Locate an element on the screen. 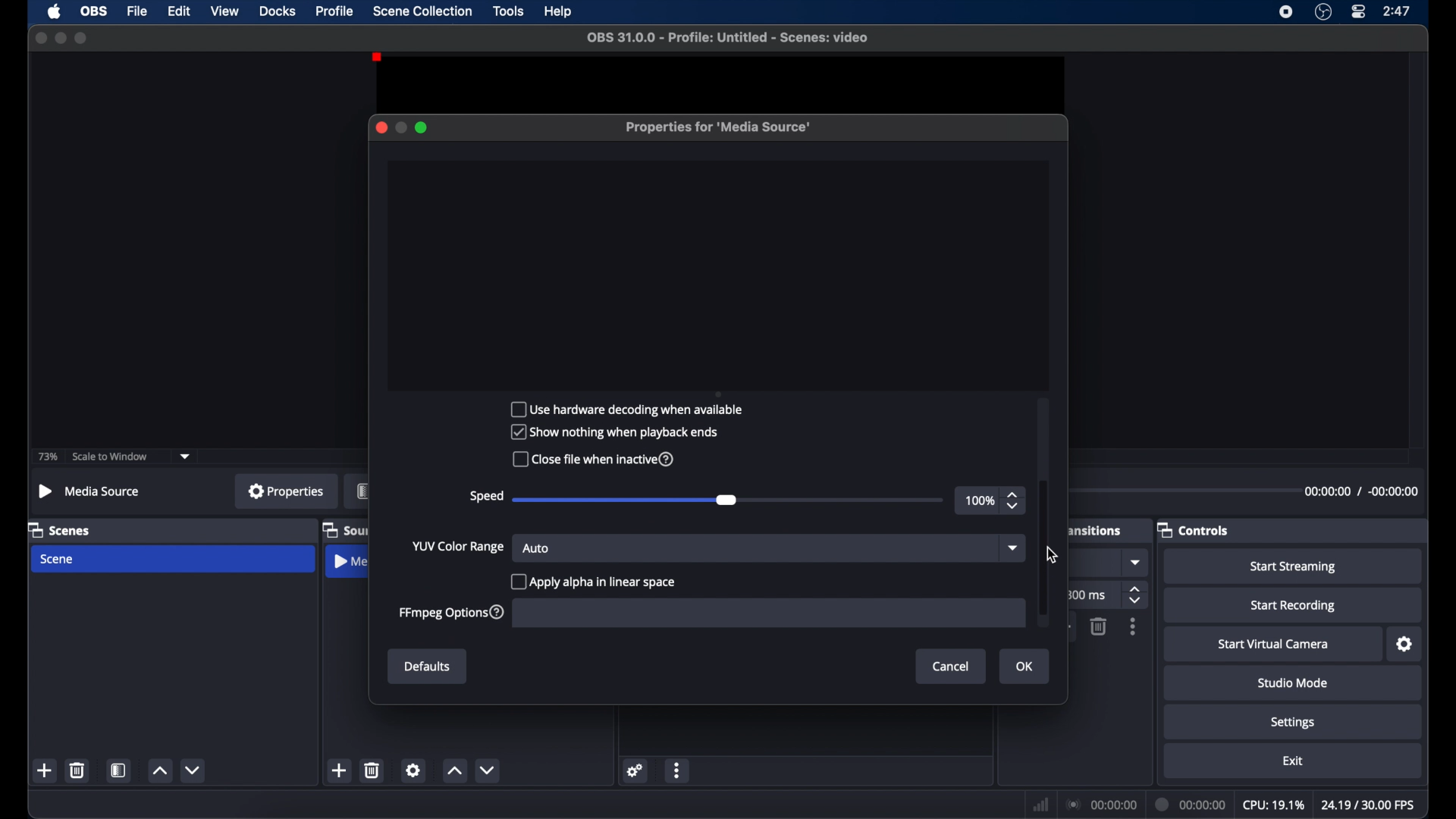  yup color change is located at coordinates (457, 546).